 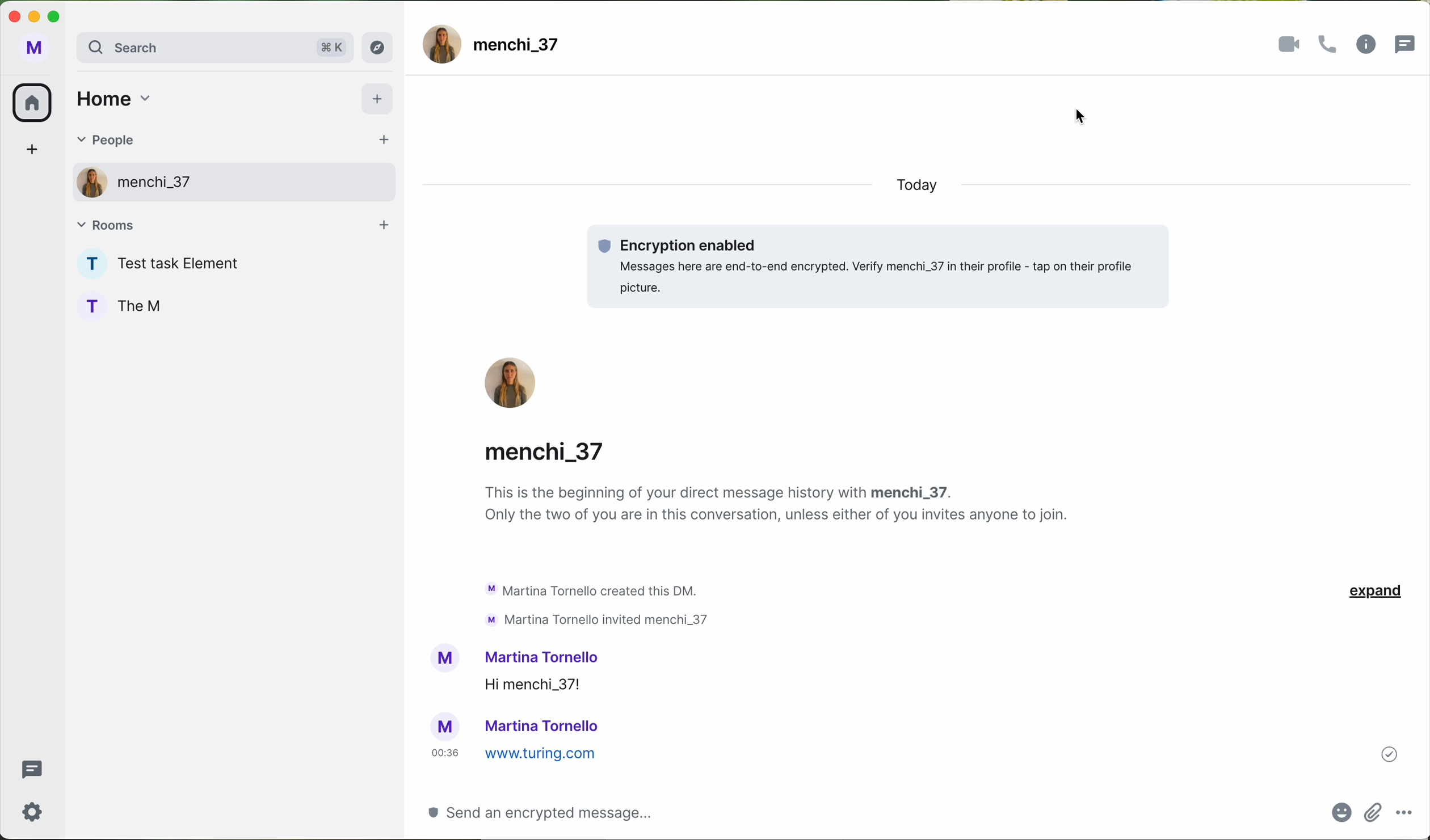 What do you see at coordinates (233, 225) in the screenshot?
I see `rooms tab` at bounding box center [233, 225].